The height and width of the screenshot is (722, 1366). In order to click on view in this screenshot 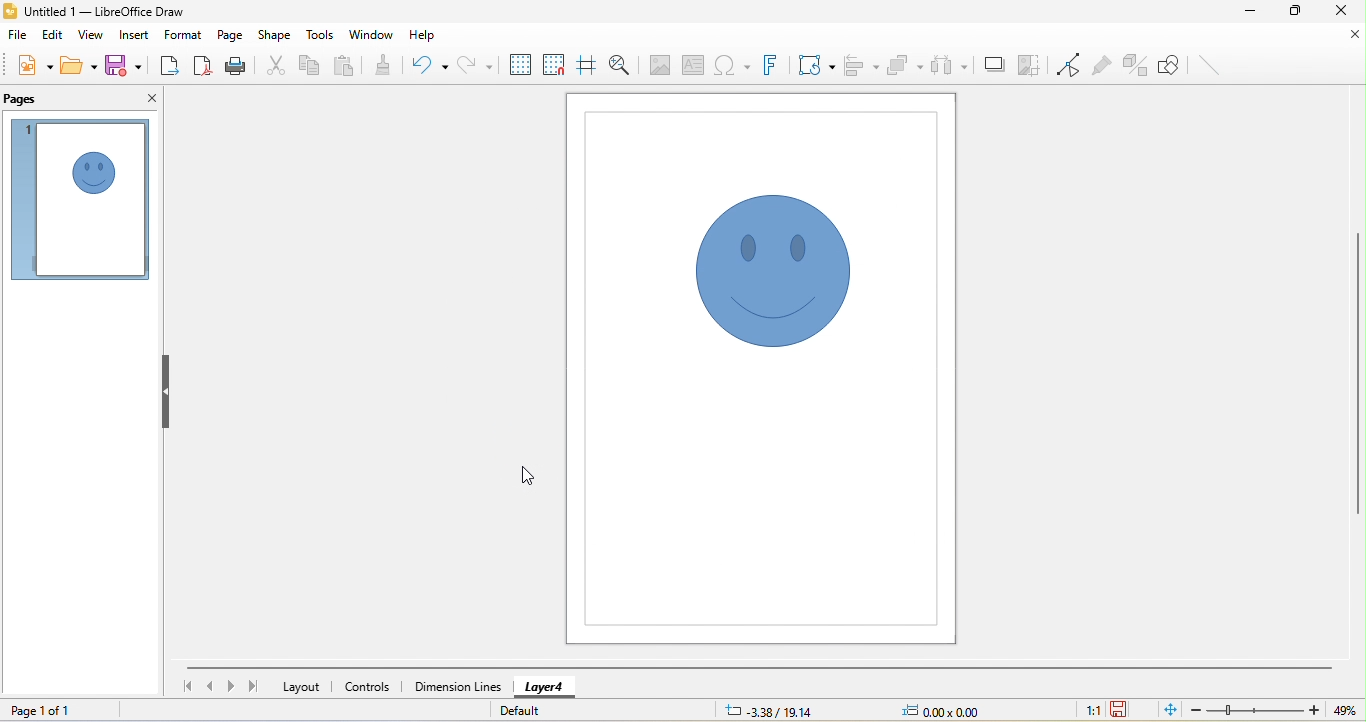, I will do `click(88, 35)`.